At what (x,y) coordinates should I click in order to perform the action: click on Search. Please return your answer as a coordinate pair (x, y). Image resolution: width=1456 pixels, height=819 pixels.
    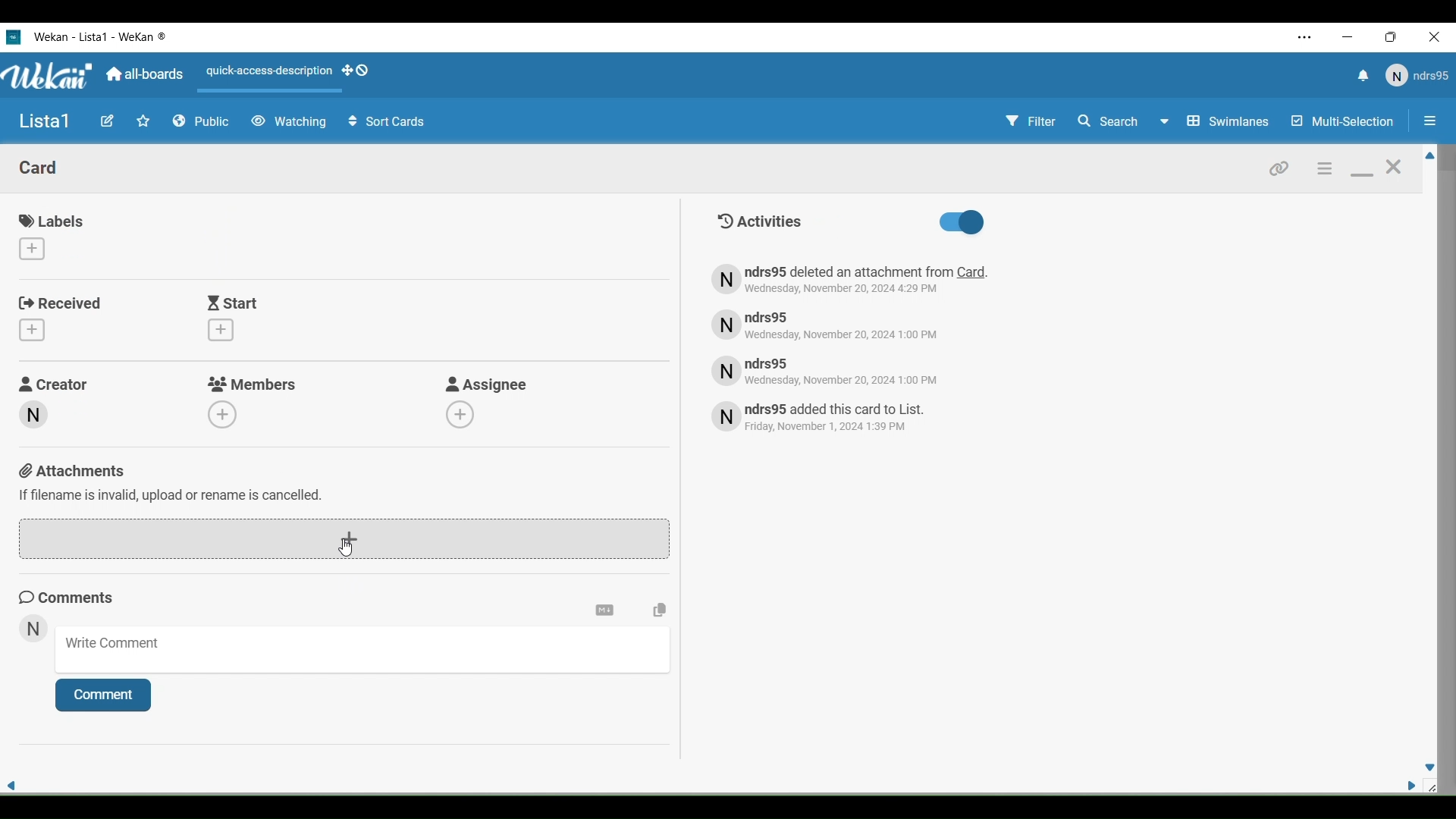
    Looking at the image, I should click on (1122, 121).